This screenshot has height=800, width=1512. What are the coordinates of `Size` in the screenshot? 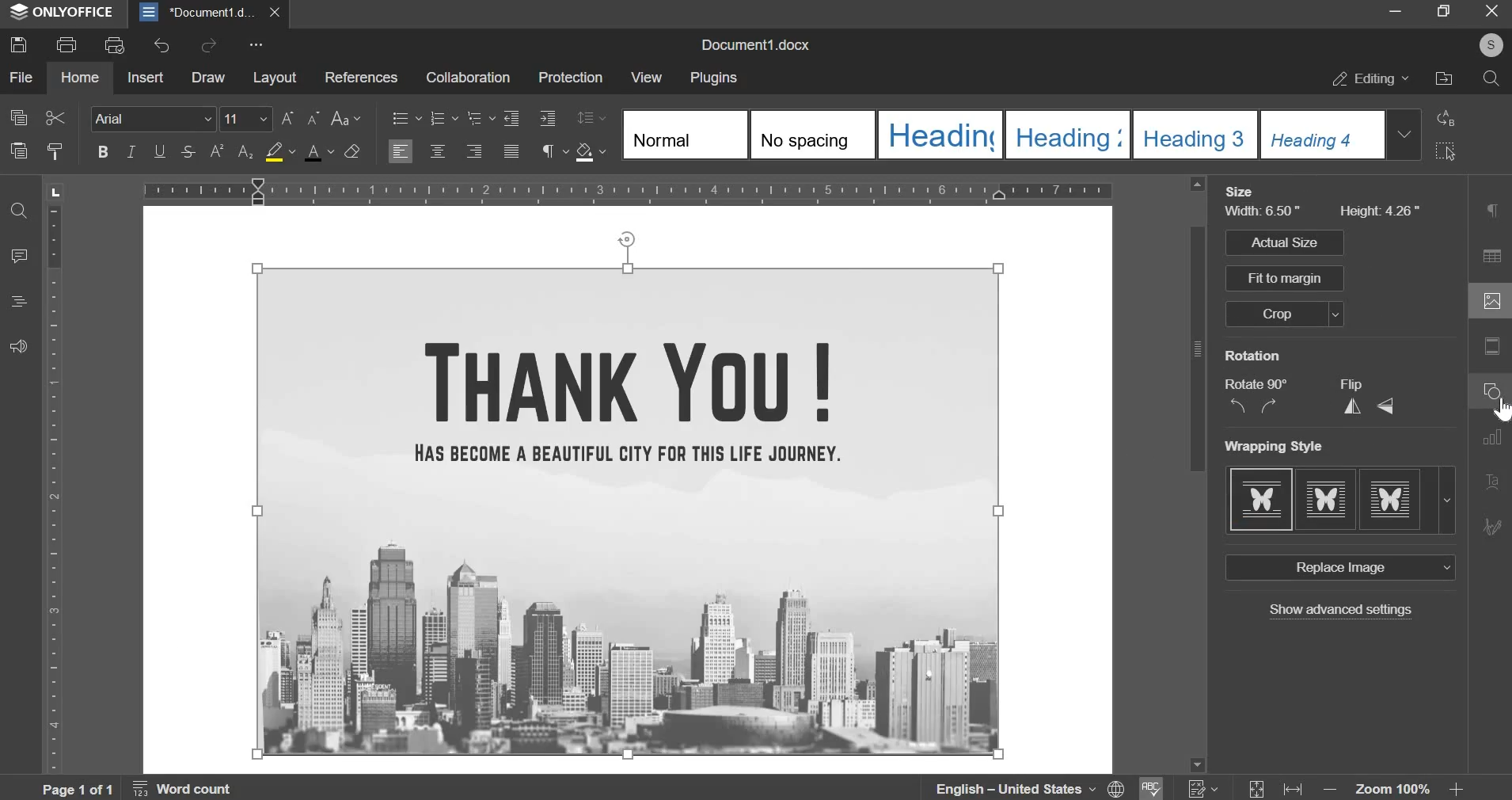 It's located at (1240, 192).